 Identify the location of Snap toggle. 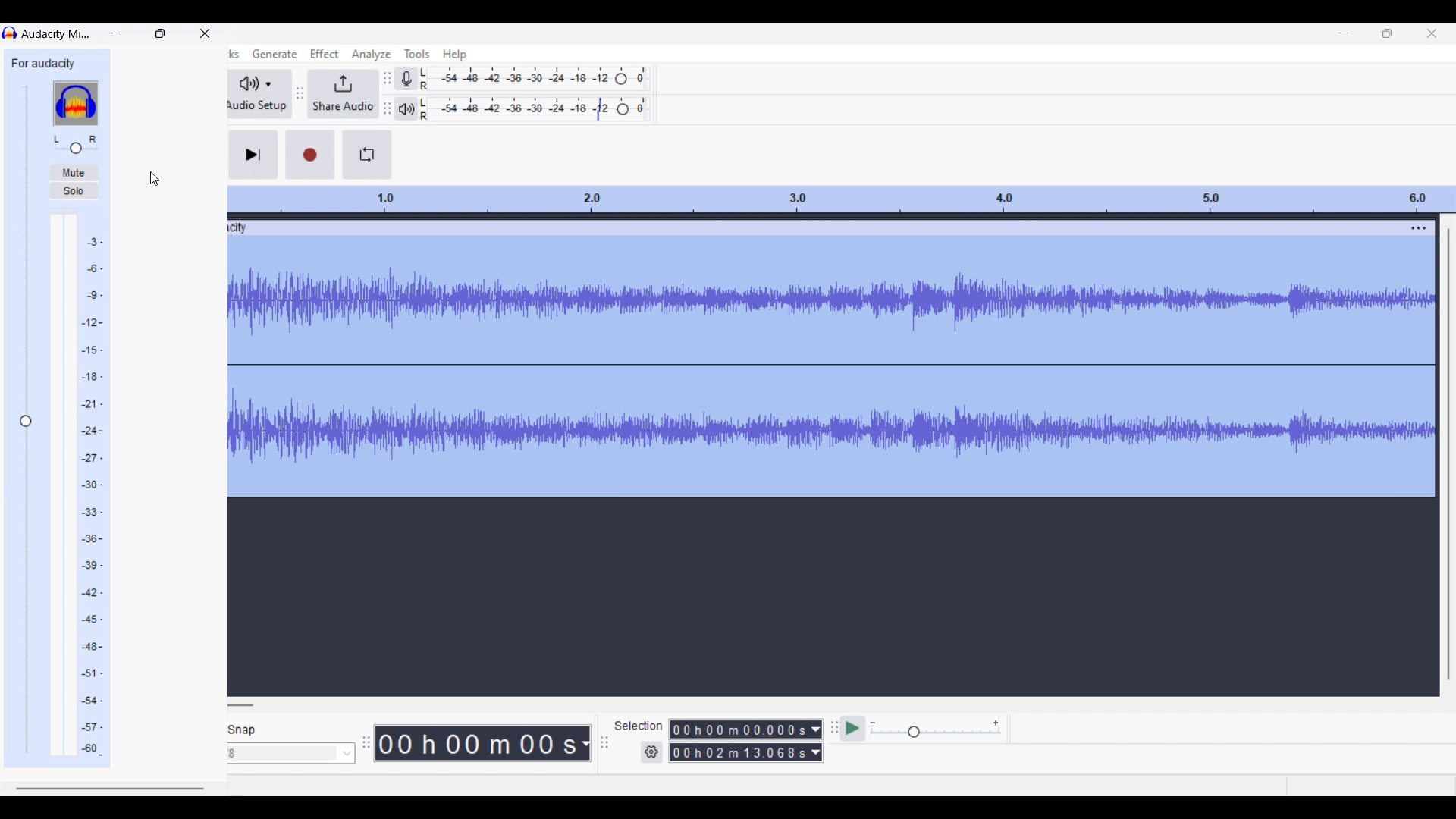
(243, 730).